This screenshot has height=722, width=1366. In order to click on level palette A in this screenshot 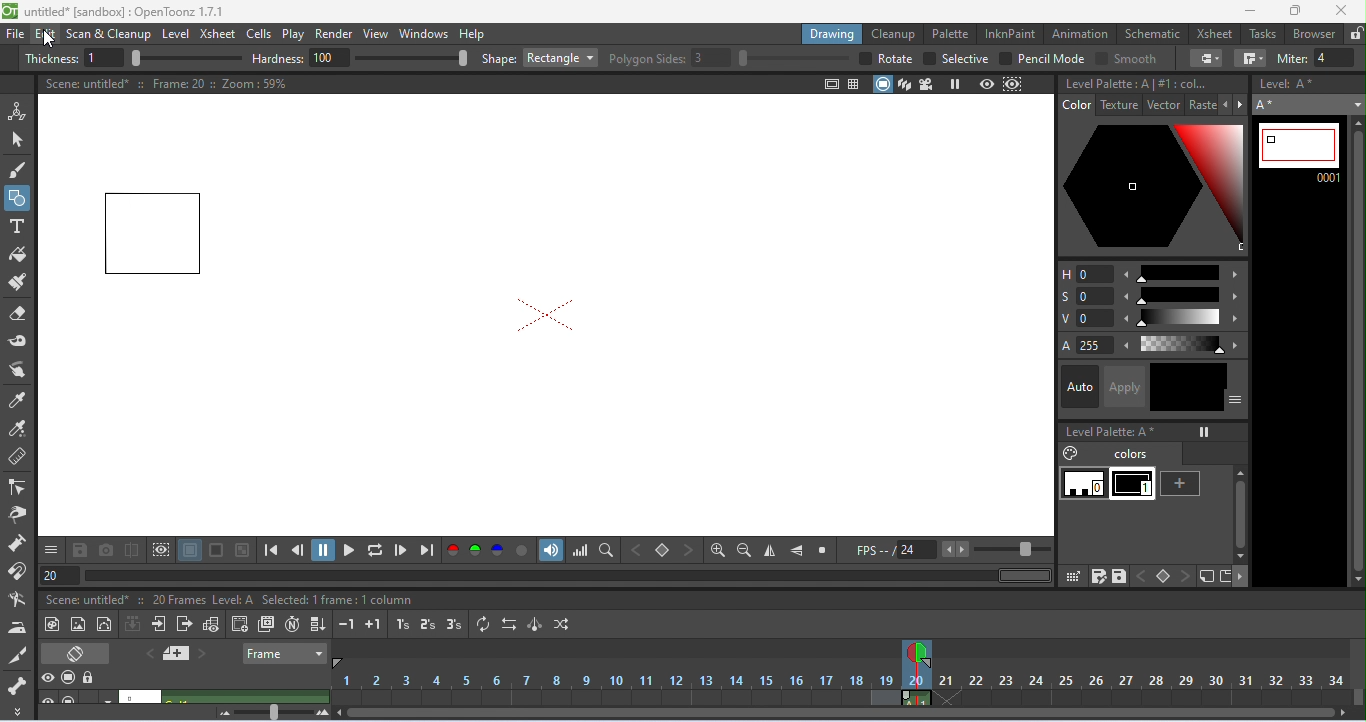, I will do `click(1111, 432)`.